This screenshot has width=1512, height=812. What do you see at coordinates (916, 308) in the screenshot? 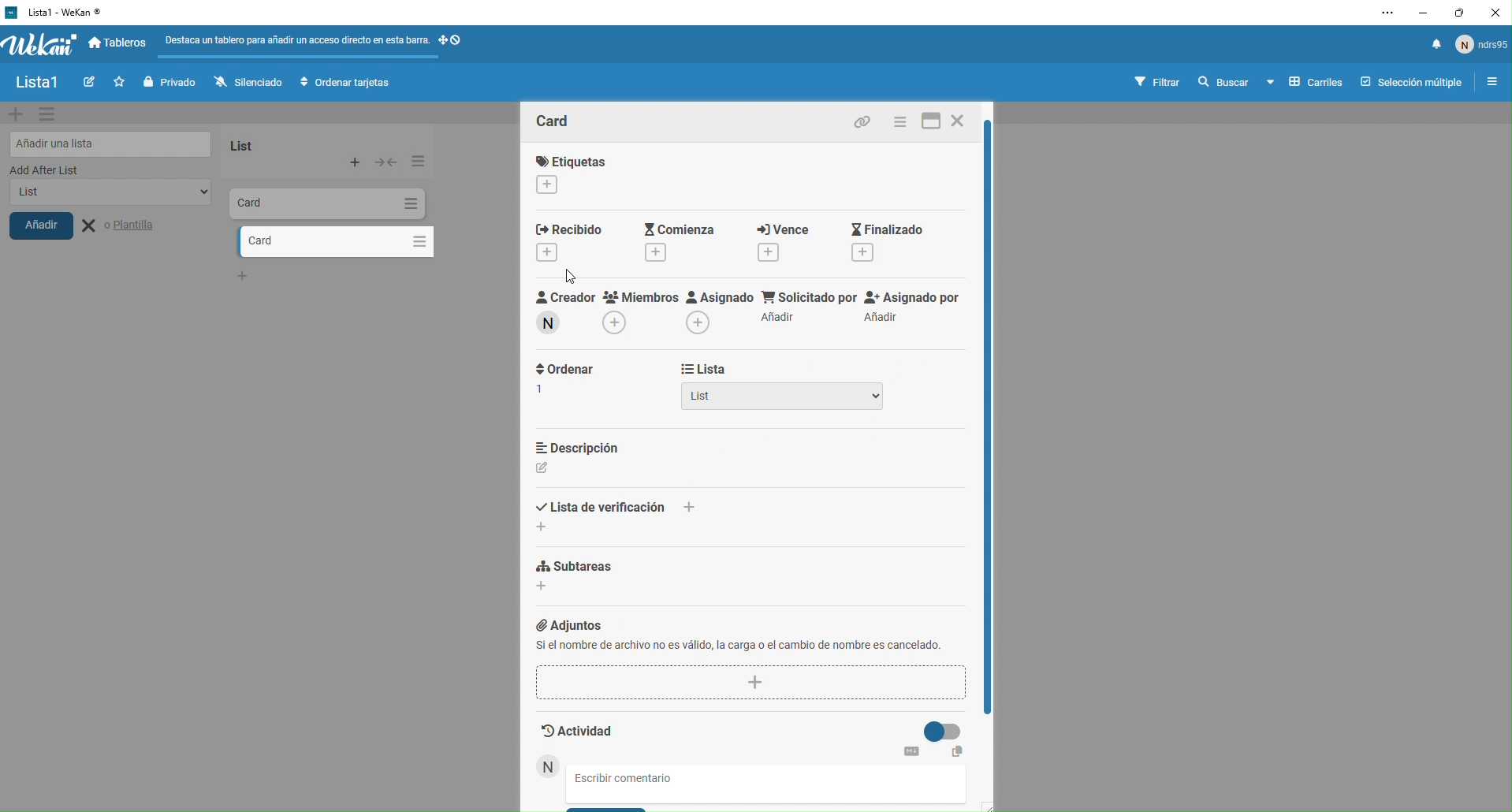
I see `Assignado por` at bounding box center [916, 308].